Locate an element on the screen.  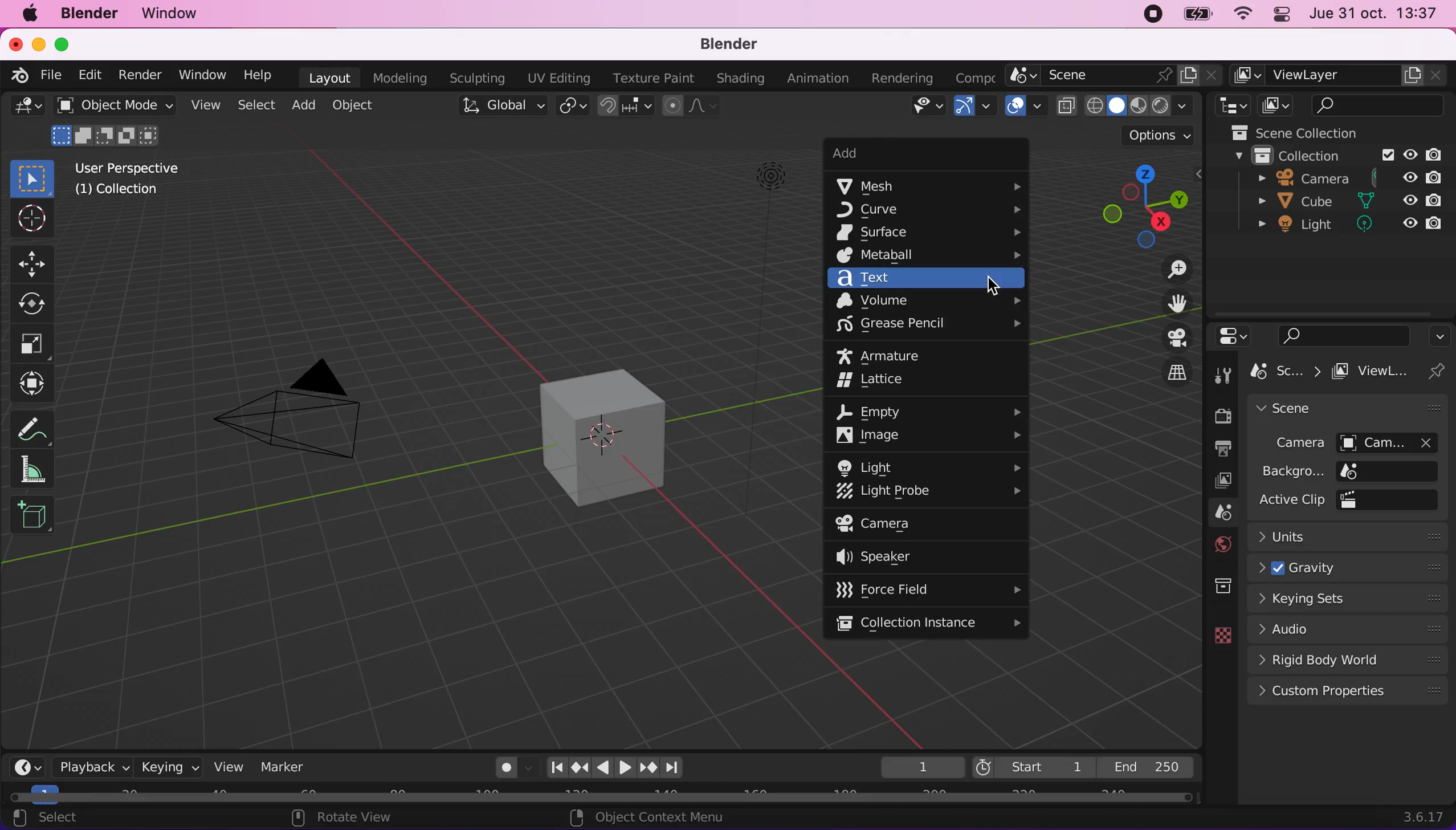
light is located at coordinates (931, 465).